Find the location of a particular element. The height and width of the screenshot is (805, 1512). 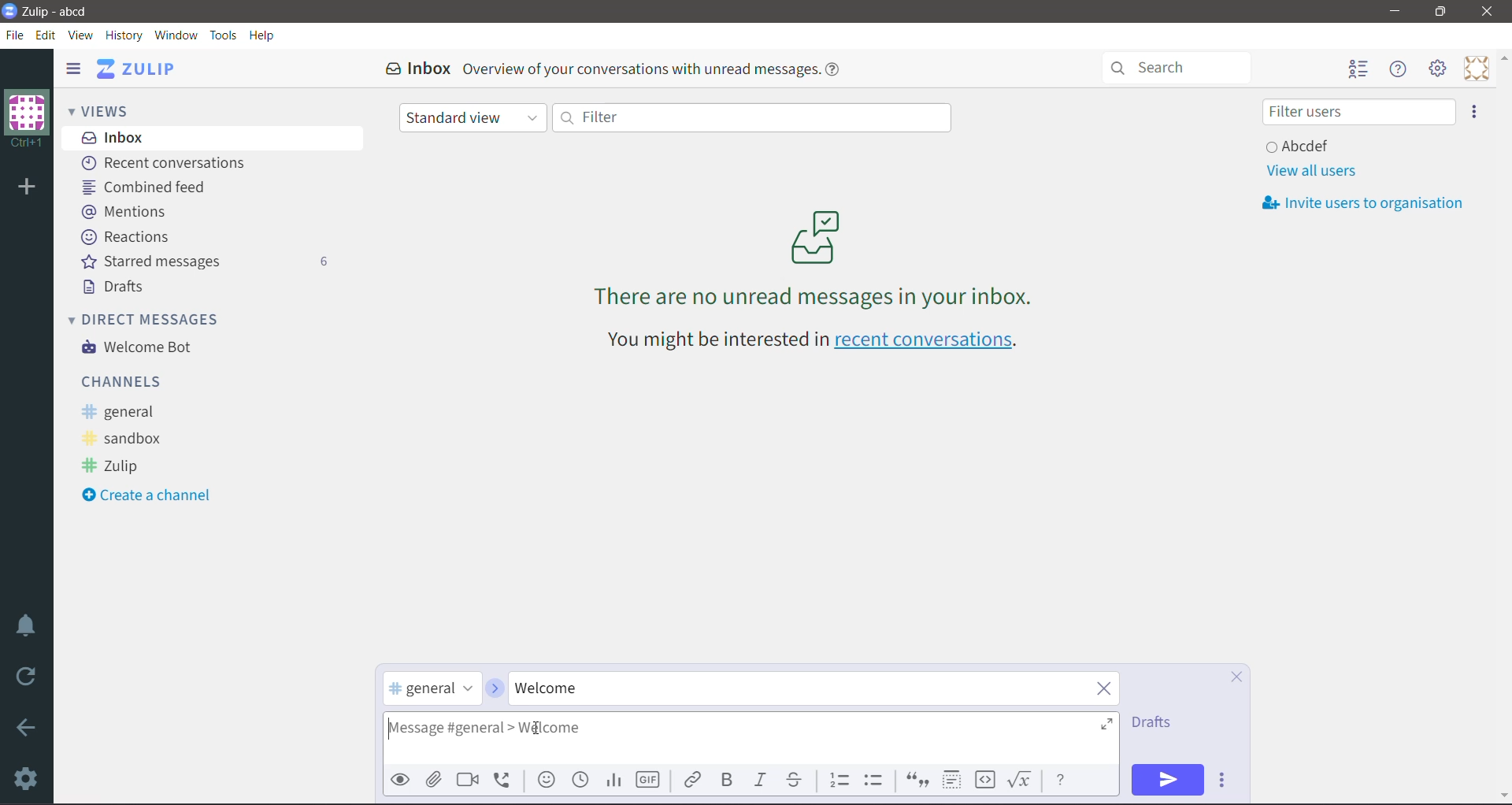

Cancel Compose is located at coordinates (1236, 678).